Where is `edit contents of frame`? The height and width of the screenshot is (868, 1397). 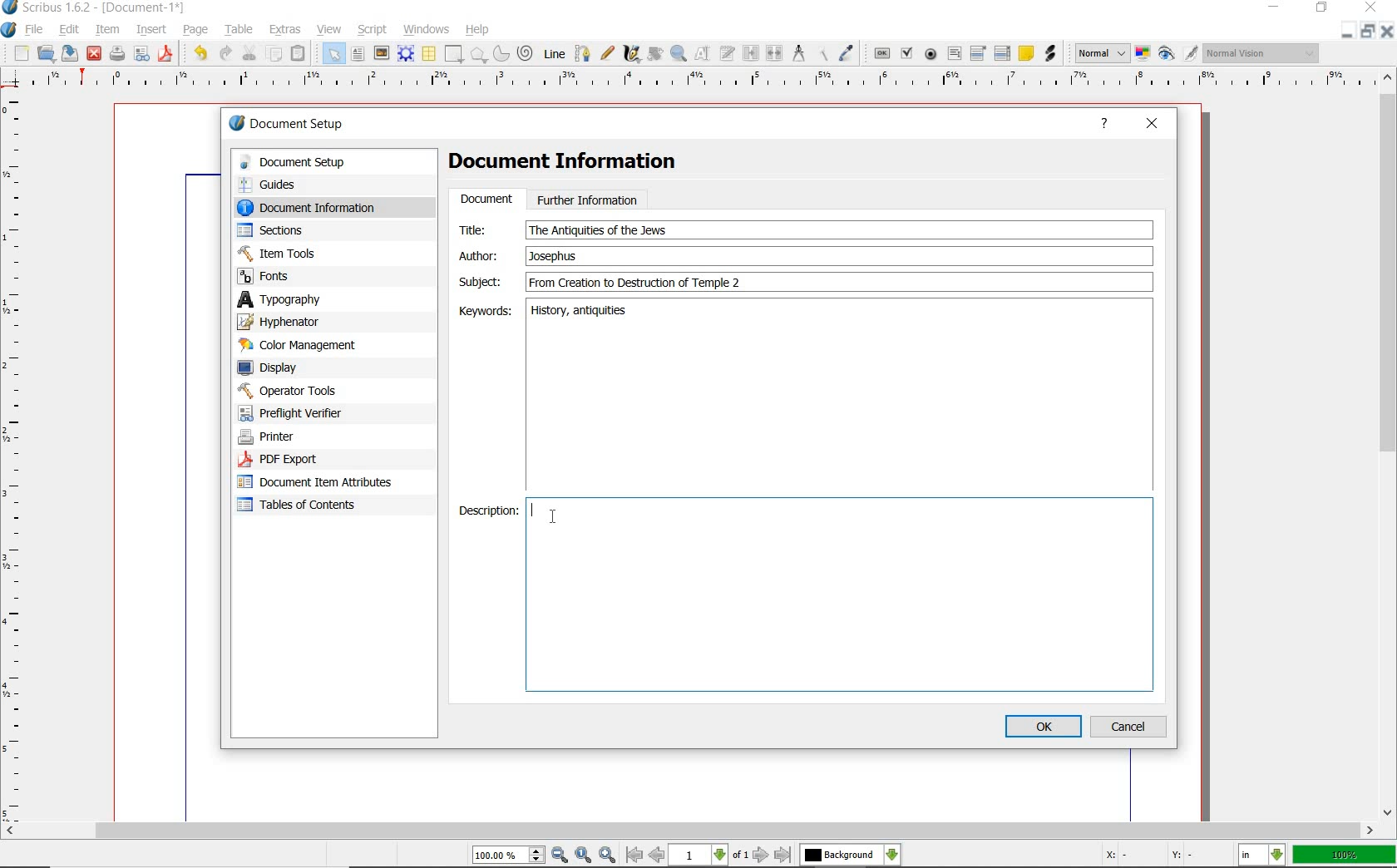 edit contents of frame is located at coordinates (704, 55).